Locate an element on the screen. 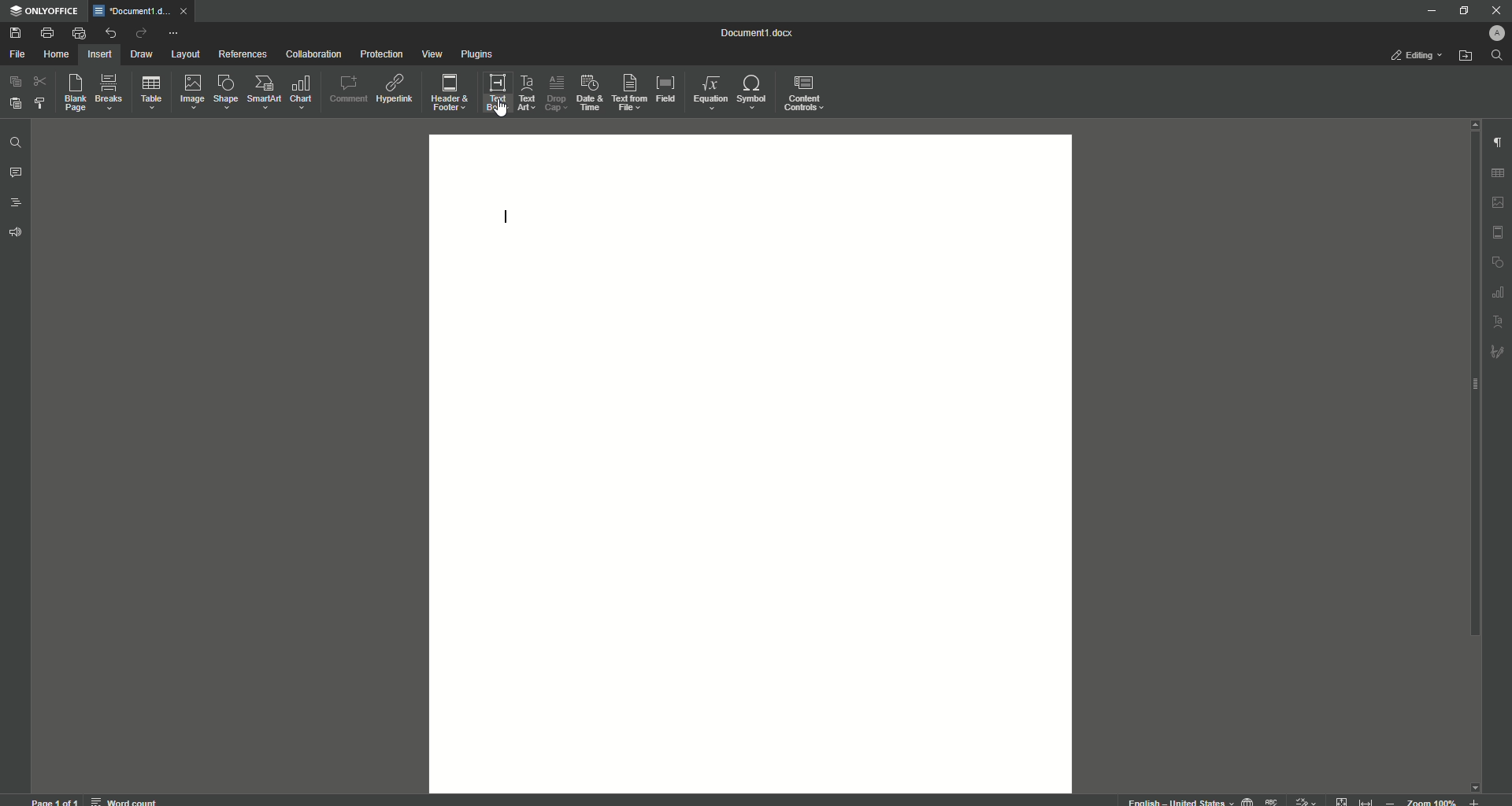 The image size is (1512, 806). Header and Footer is located at coordinates (448, 94).